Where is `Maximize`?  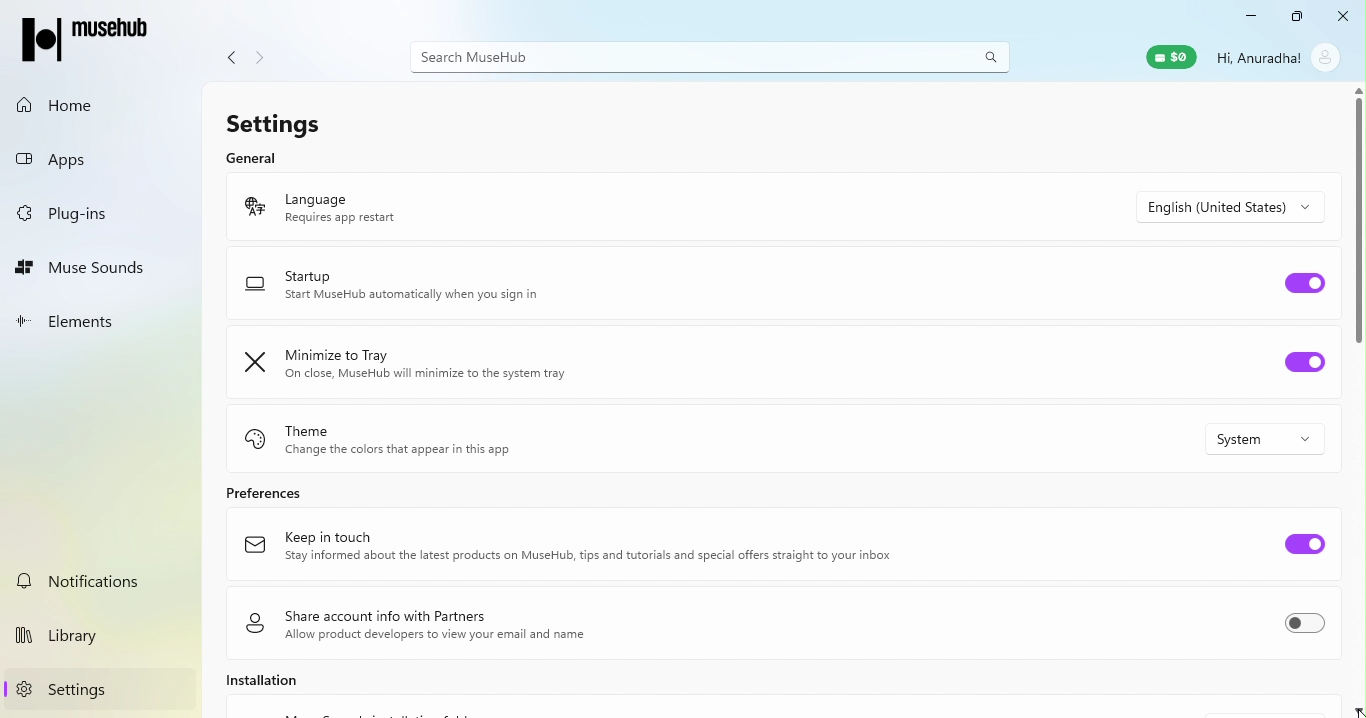 Maximize is located at coordinates (1295, 18).